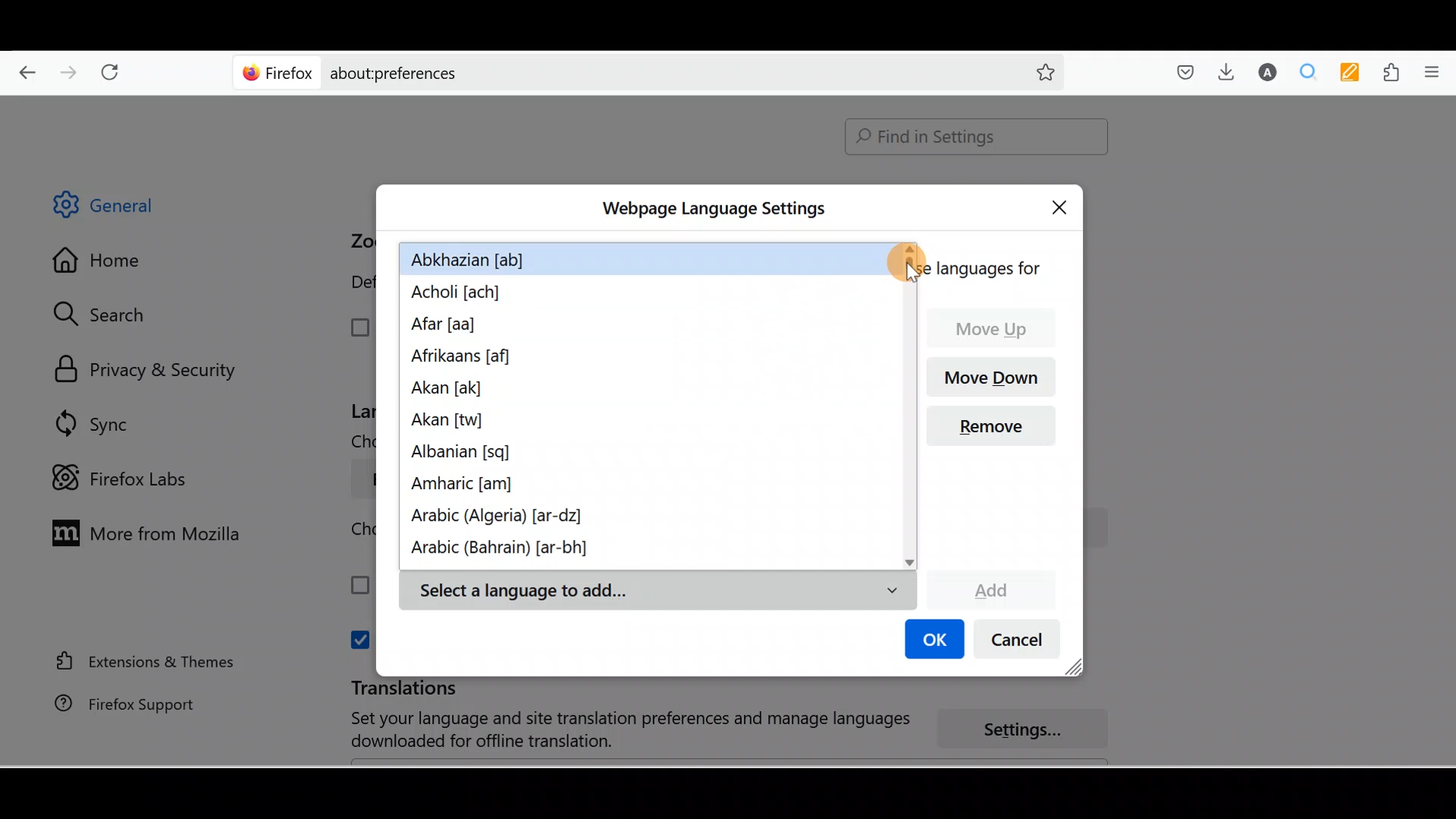 Image resolution: width=1456 pixels, height=819 pixels. Describe the element at coordinates (447, 326) in the screenshot. I see `Afar [aa]` at that location.